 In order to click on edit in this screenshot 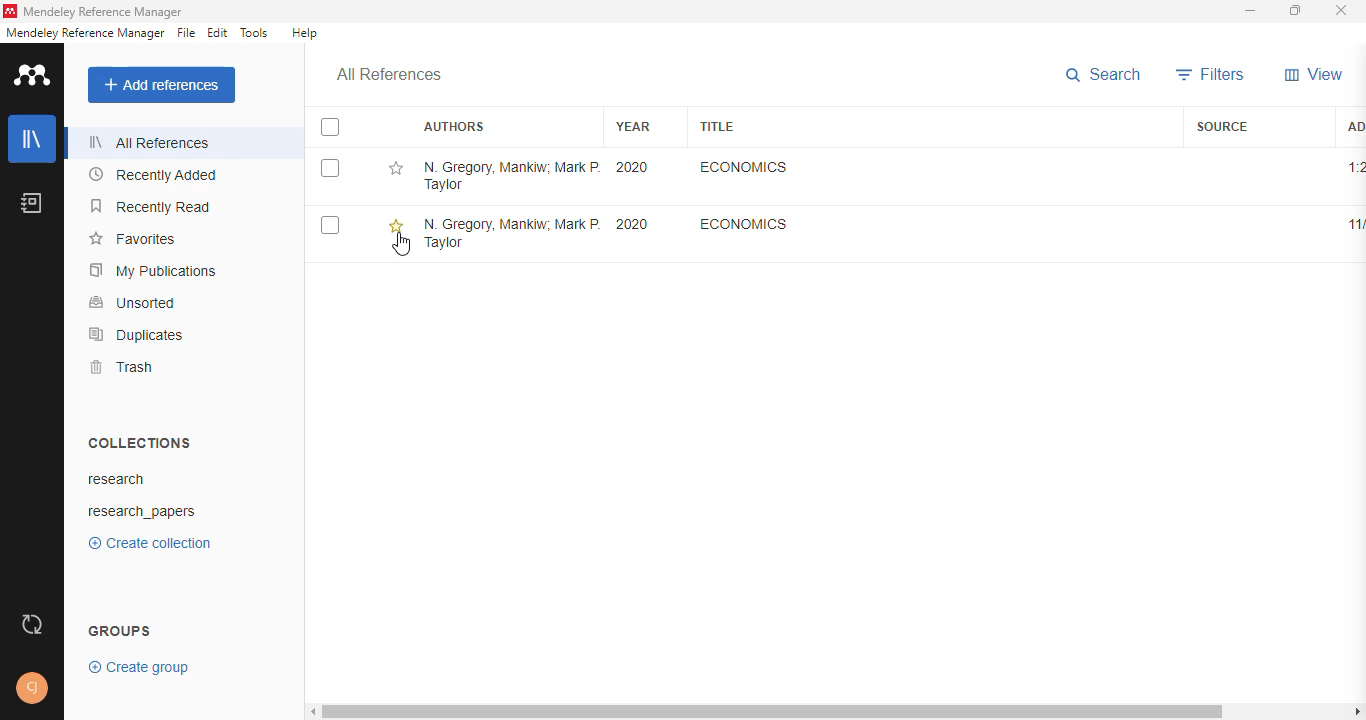, I will do `click(219, 33)`.